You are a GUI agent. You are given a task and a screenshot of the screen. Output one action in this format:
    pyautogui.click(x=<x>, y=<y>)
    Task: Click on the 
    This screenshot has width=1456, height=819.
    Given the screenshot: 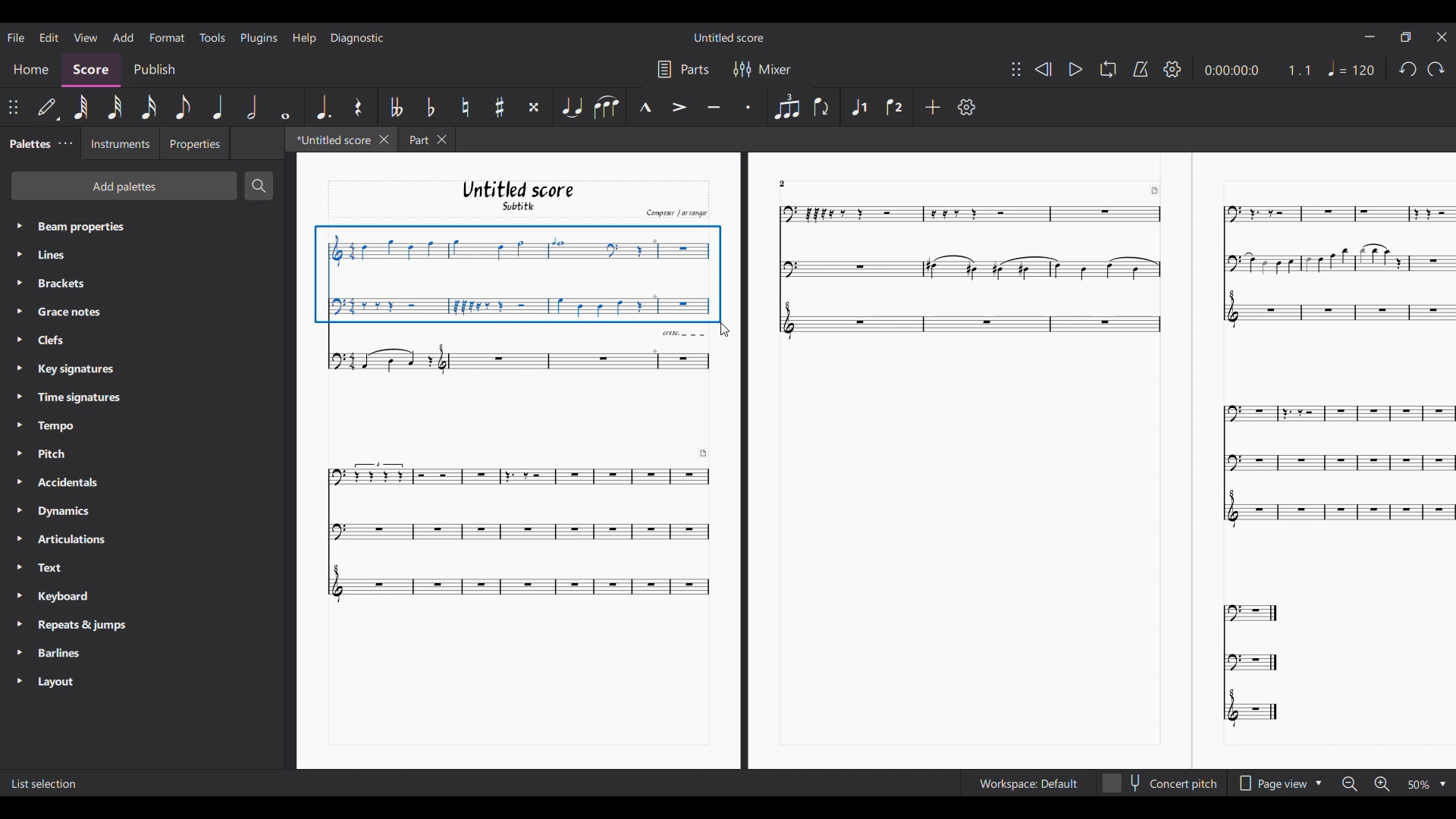 What is the action you would take?
    pyautogui.click(x=1341, y=260)
    